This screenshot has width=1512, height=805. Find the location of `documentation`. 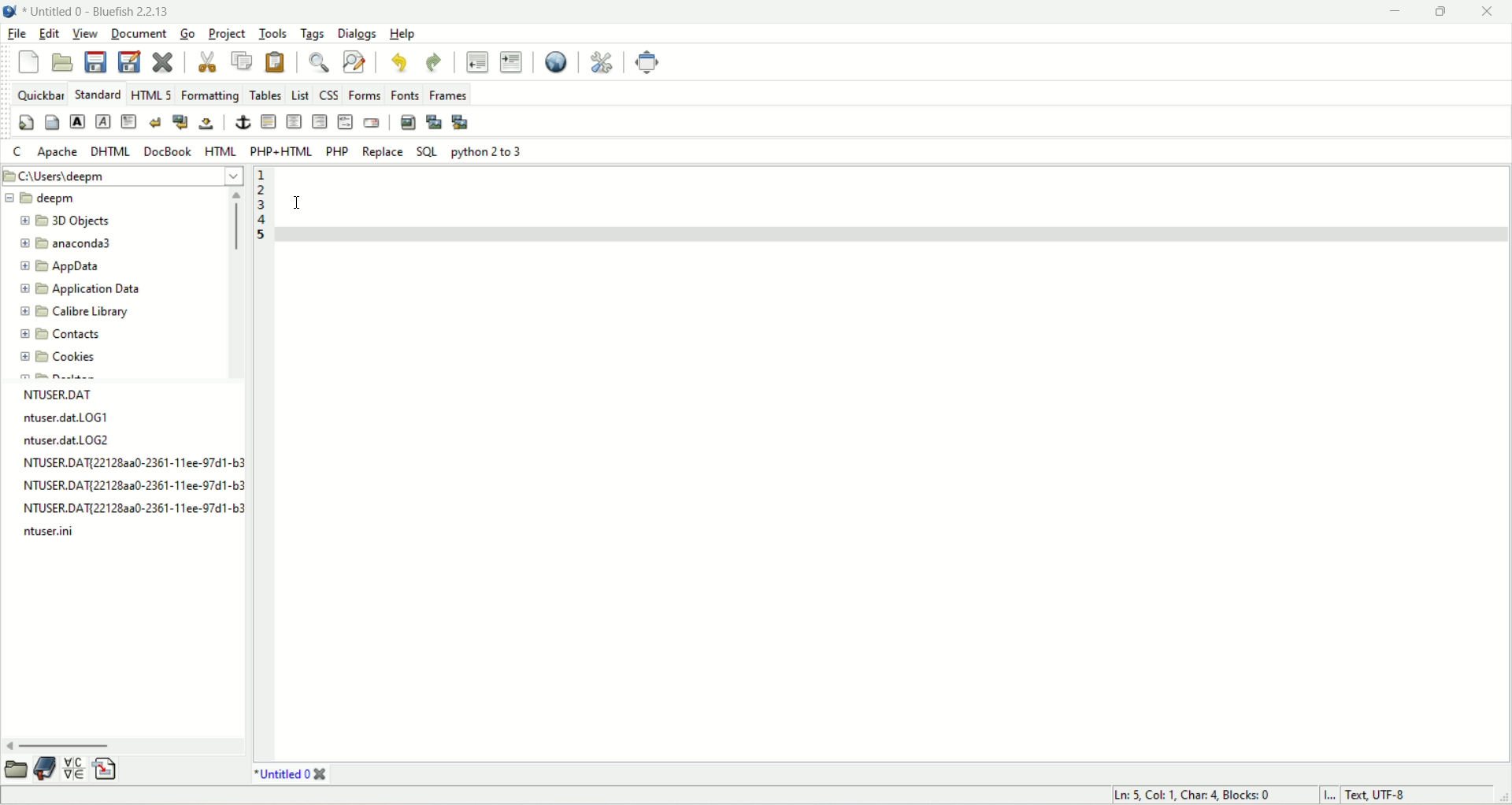

documentation is located at coordinates (44, 770).